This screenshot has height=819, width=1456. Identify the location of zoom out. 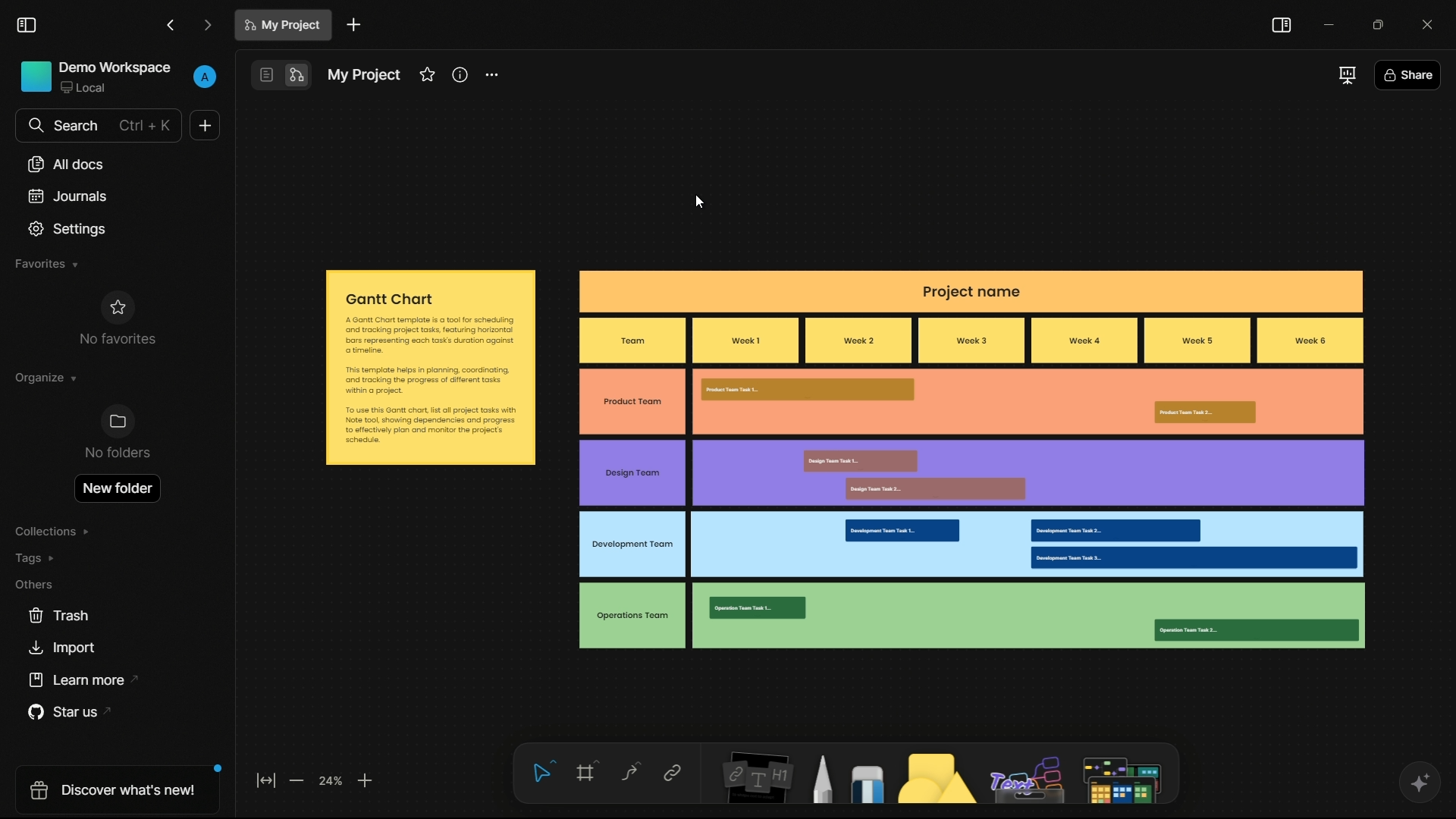
(299, 783).